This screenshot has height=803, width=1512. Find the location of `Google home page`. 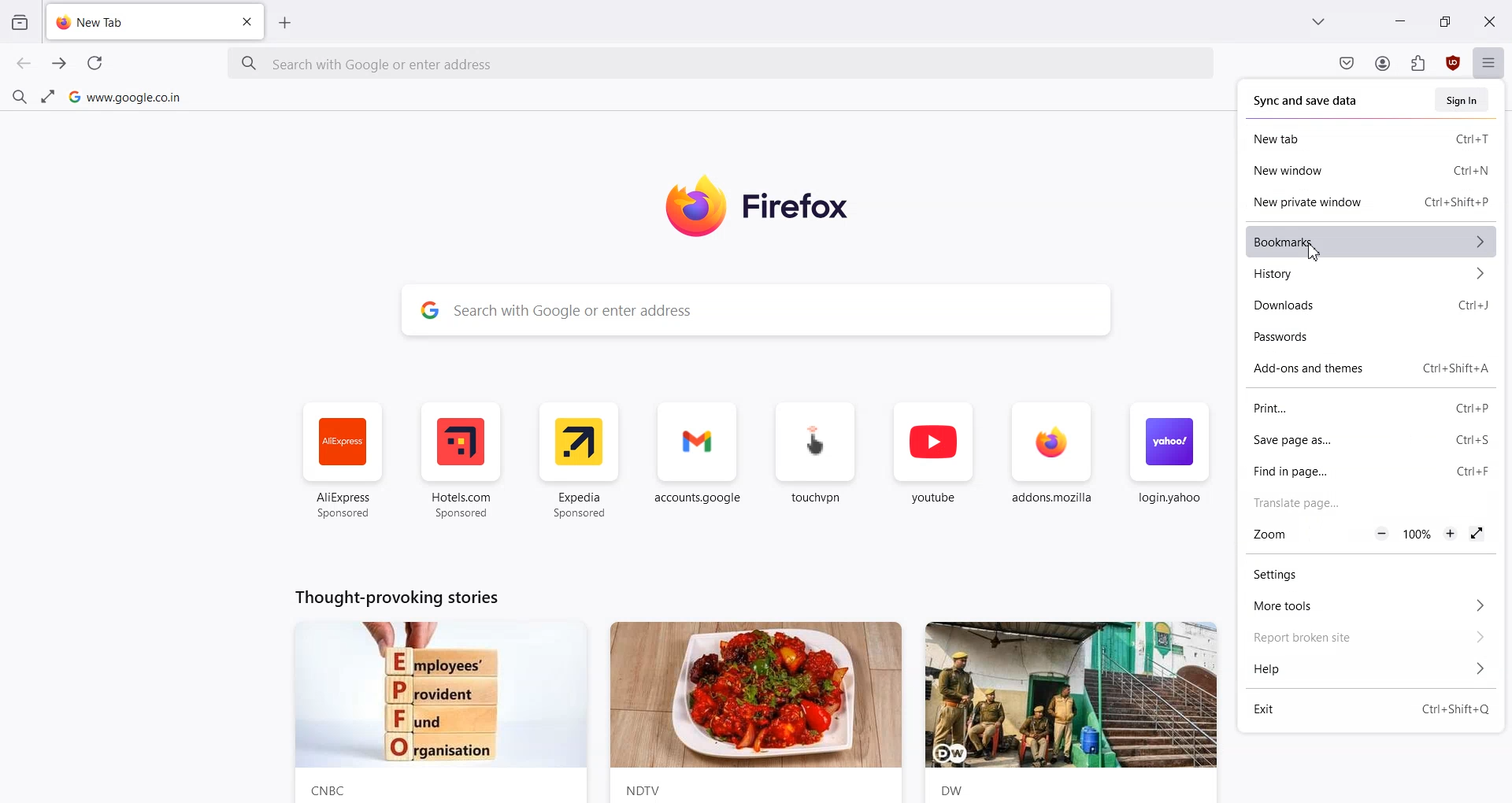

Google home page is located at coordinates (125, 96).